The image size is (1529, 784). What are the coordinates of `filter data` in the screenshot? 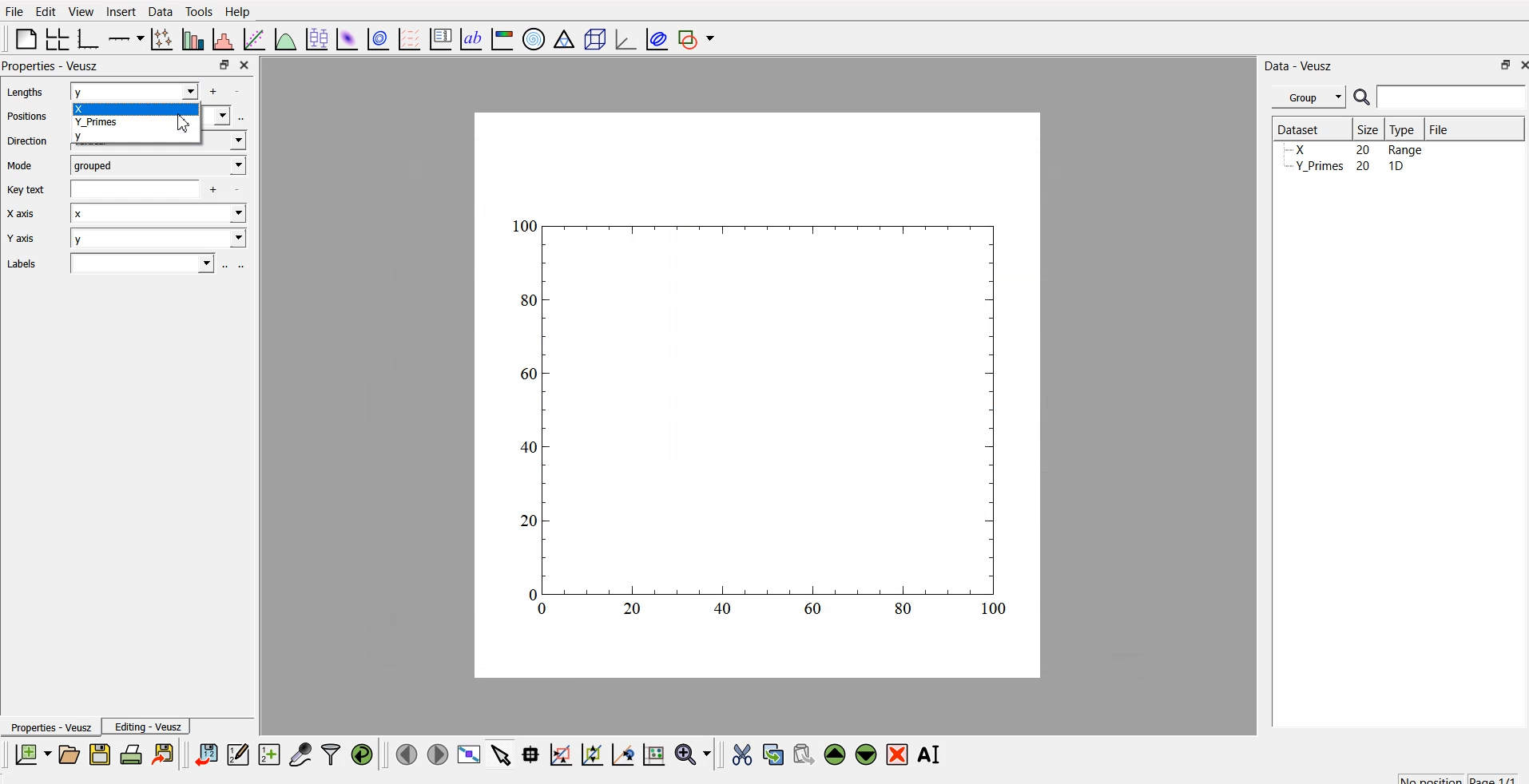 It's located at (331, 752).